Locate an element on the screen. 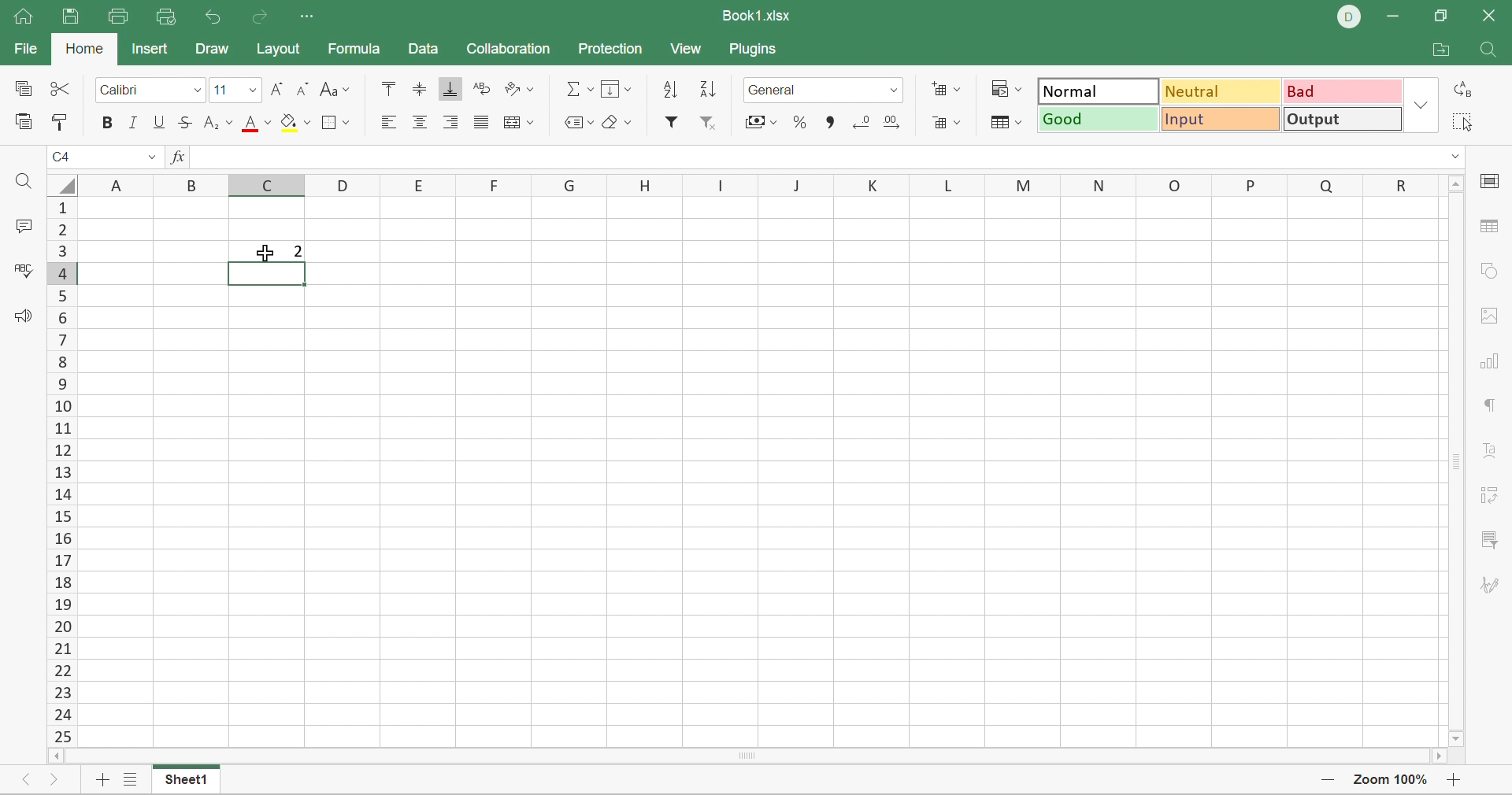  Font color is located at coordinates (256, 124).